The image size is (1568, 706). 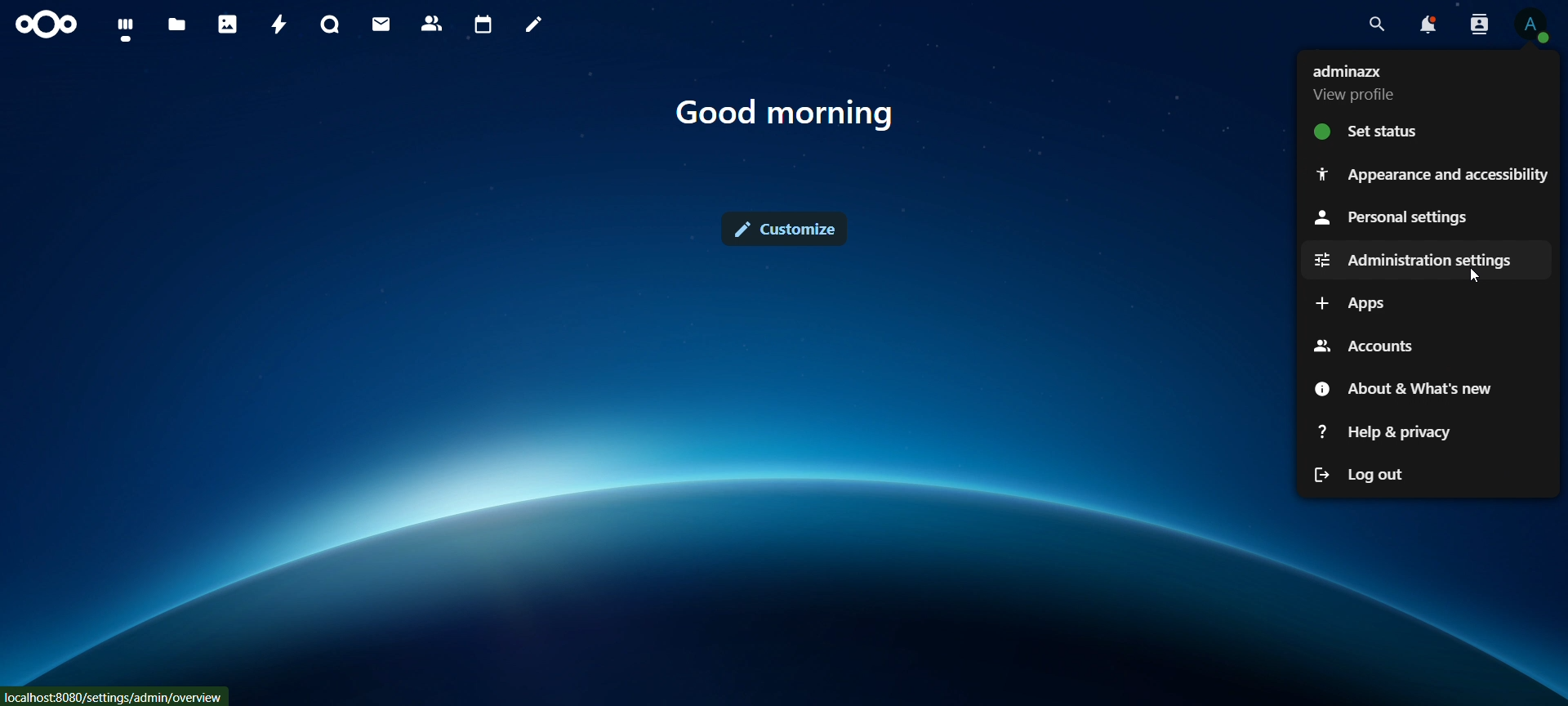 I want to click on good morning, so click(x=786, y=114).